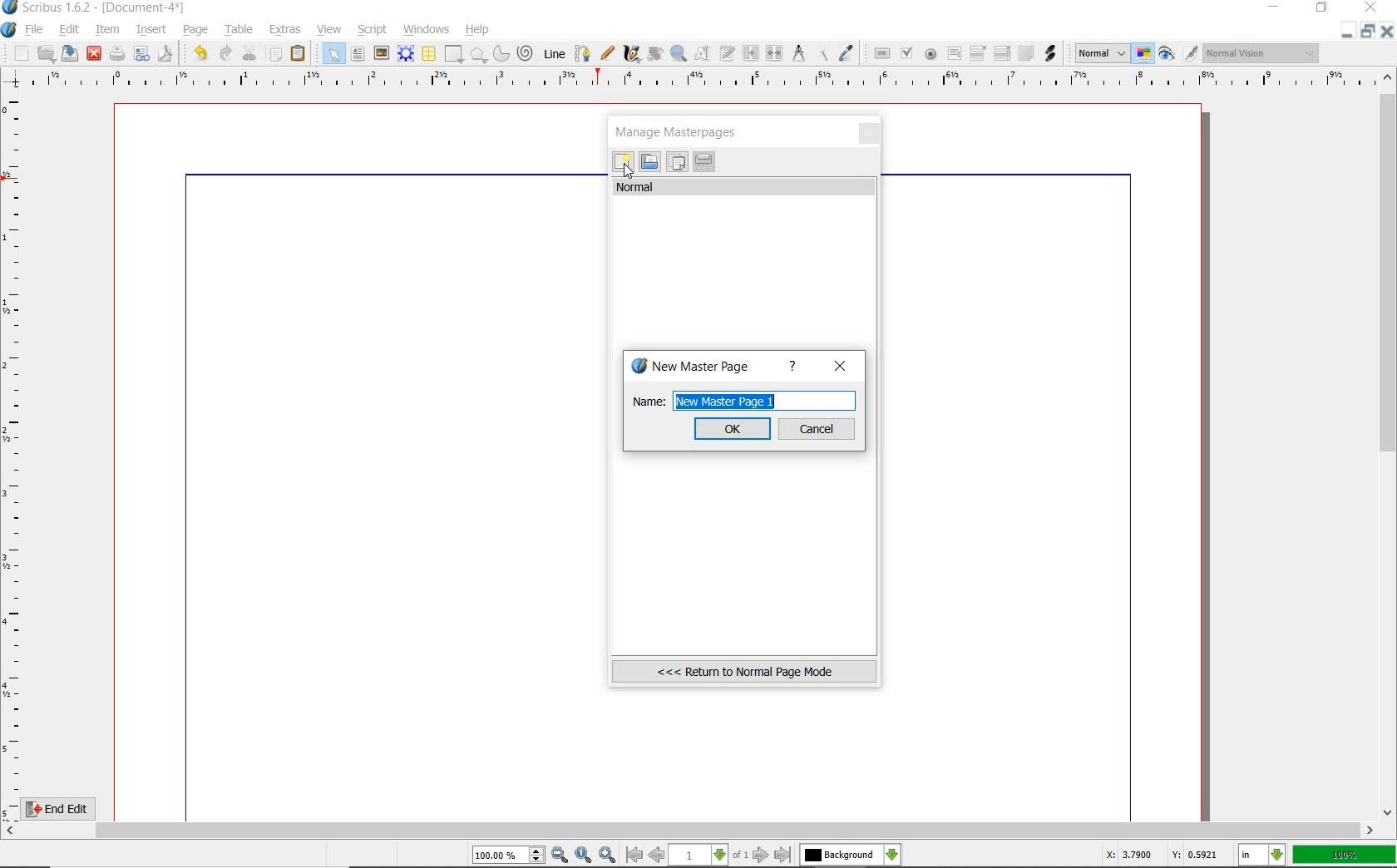  Describe the element at coordinates (1144, 55) in the screenshot. I see `toggle color management` at that location.